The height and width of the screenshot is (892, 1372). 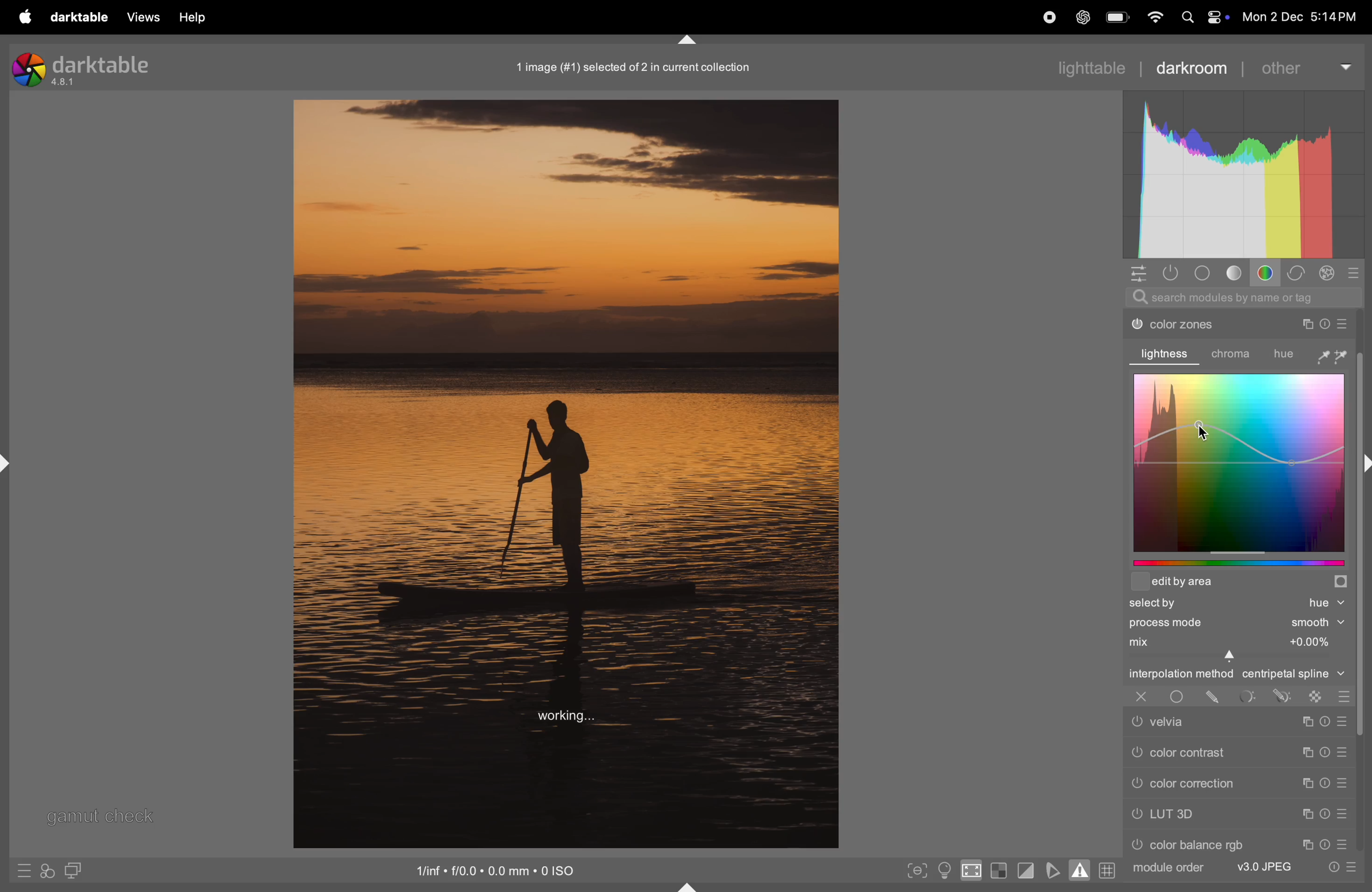 What do you see at coordinates (1306, 845) in the screenshot?
I see `Copy` at bounding box center [1306, 845].